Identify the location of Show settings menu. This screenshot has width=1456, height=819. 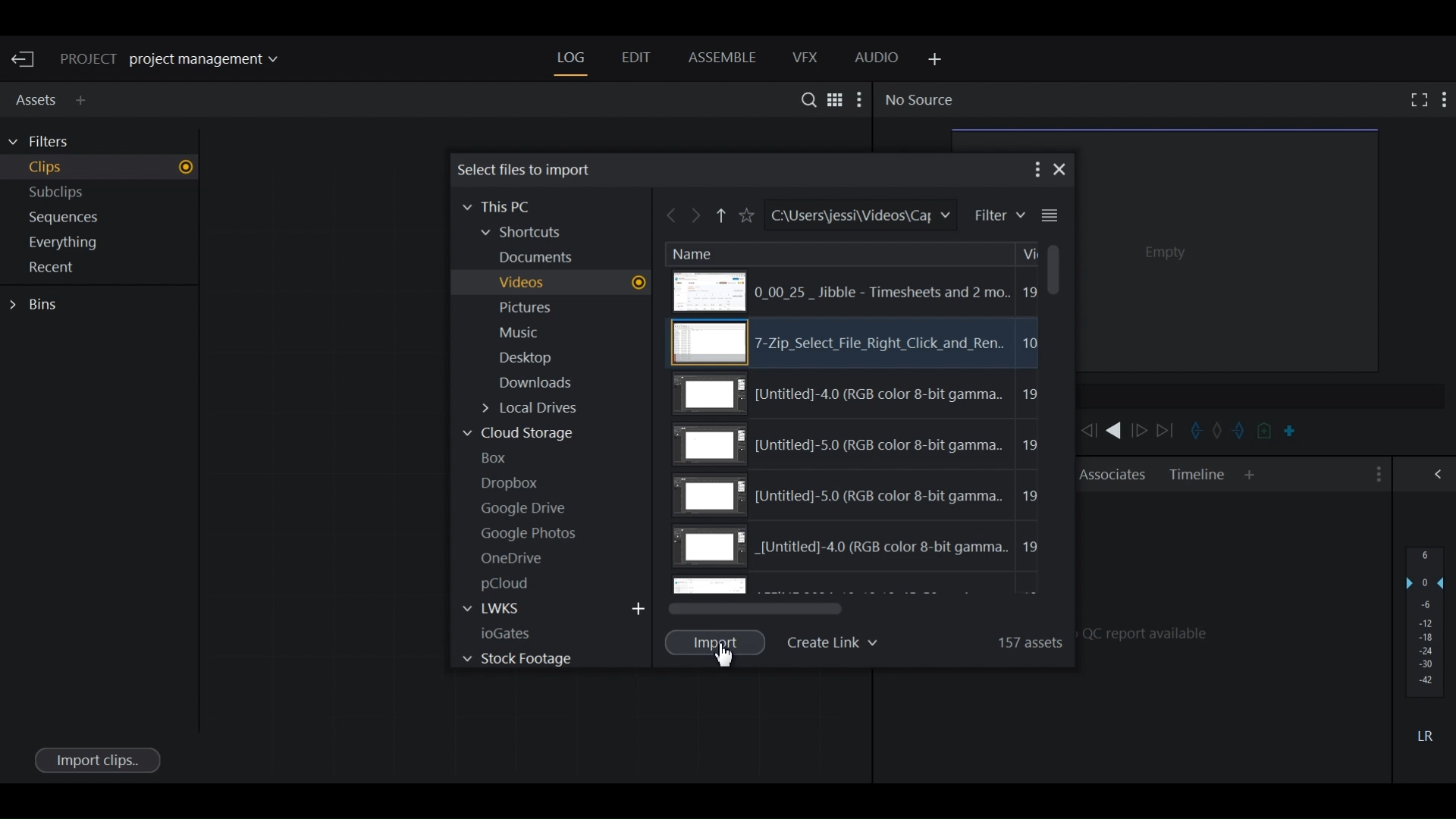
(861, 99).